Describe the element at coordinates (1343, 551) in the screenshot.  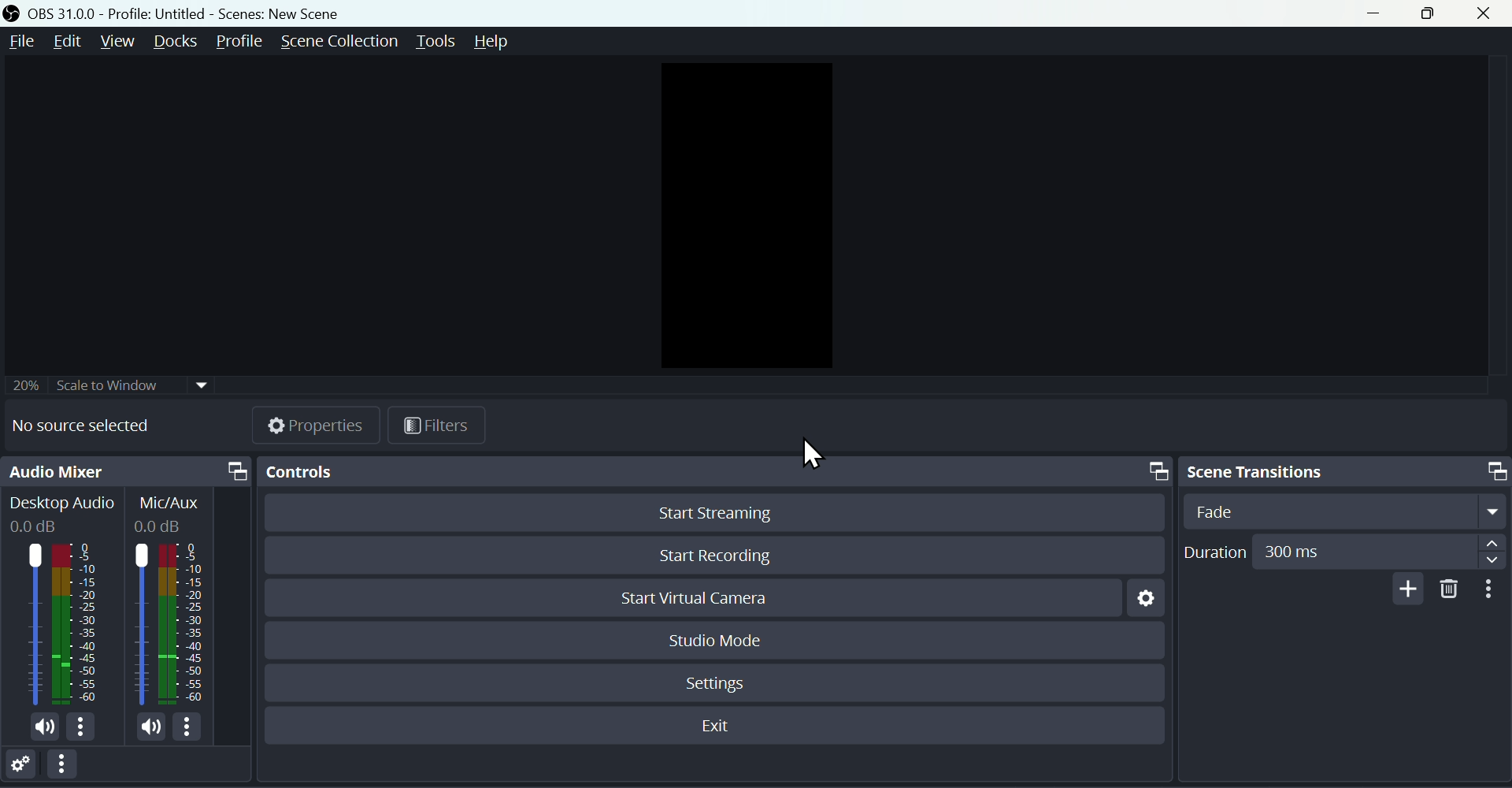
I see `Durations` at that location.